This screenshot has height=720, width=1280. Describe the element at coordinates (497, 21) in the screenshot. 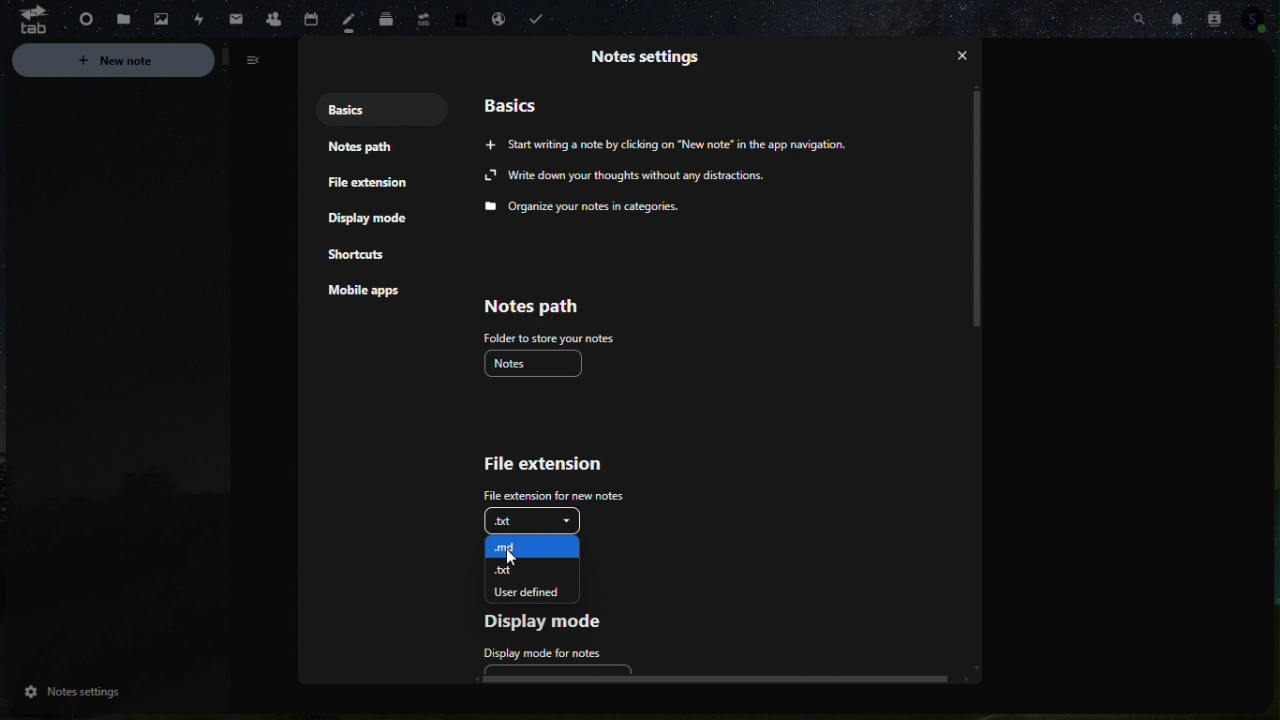

I see `Email handling` at that location.